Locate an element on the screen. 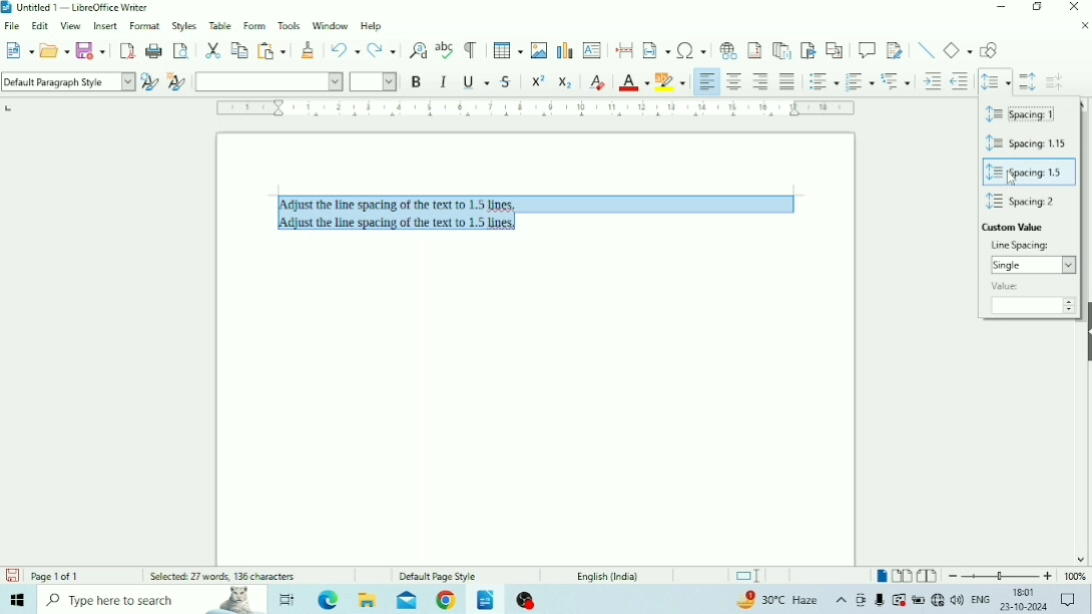  Toggle Unordered List is located at coordinates (822, 79).